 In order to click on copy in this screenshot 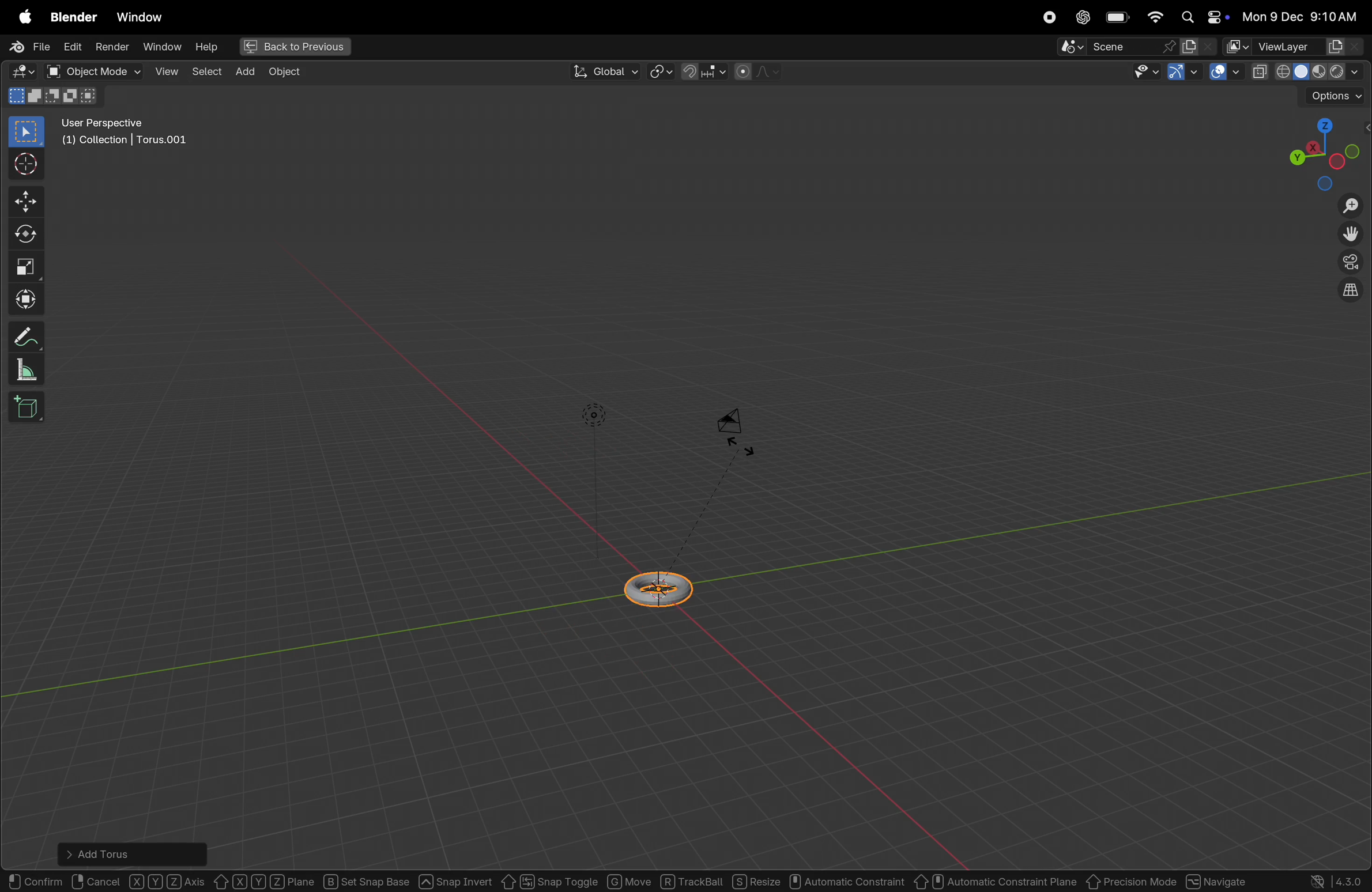, I will do `click(1260, 72)`.